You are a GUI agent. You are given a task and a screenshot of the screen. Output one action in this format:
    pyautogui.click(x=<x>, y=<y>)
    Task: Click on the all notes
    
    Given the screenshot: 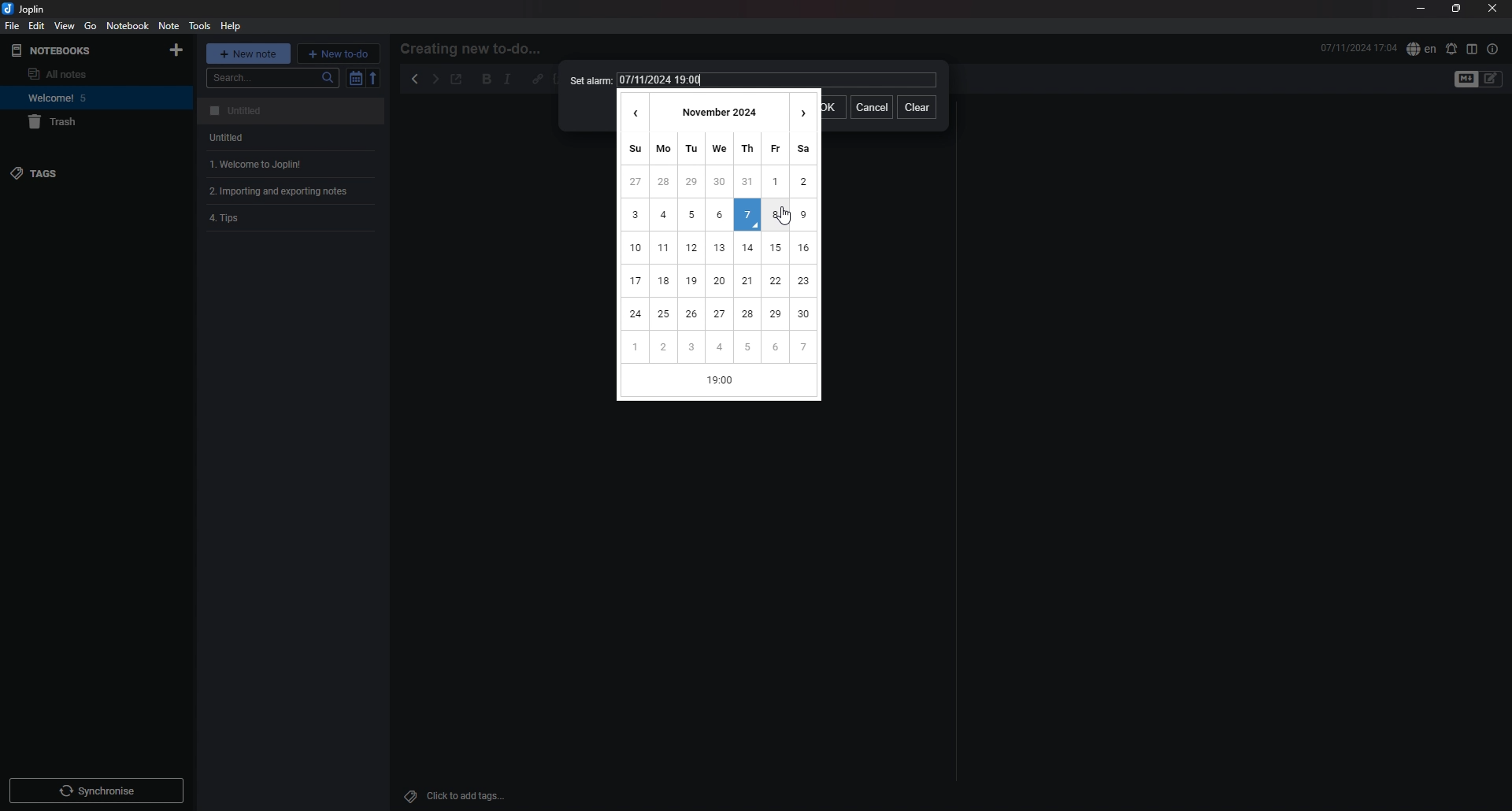 What is the action you would take?
    pyautogui.click(x=83, y=73)
    